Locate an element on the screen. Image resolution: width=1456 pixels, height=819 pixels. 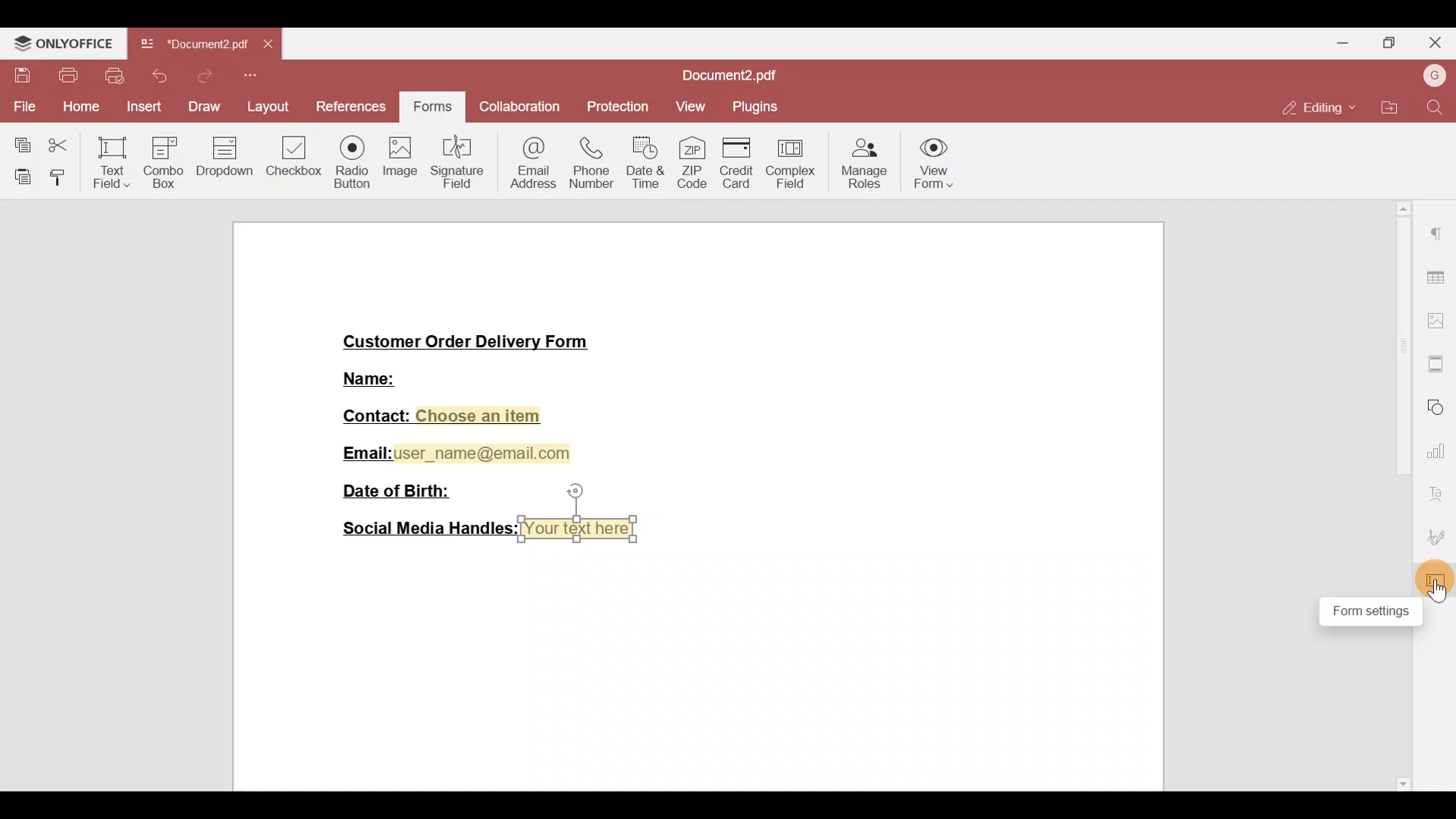
Plugins is located at coordinates (756, 107).